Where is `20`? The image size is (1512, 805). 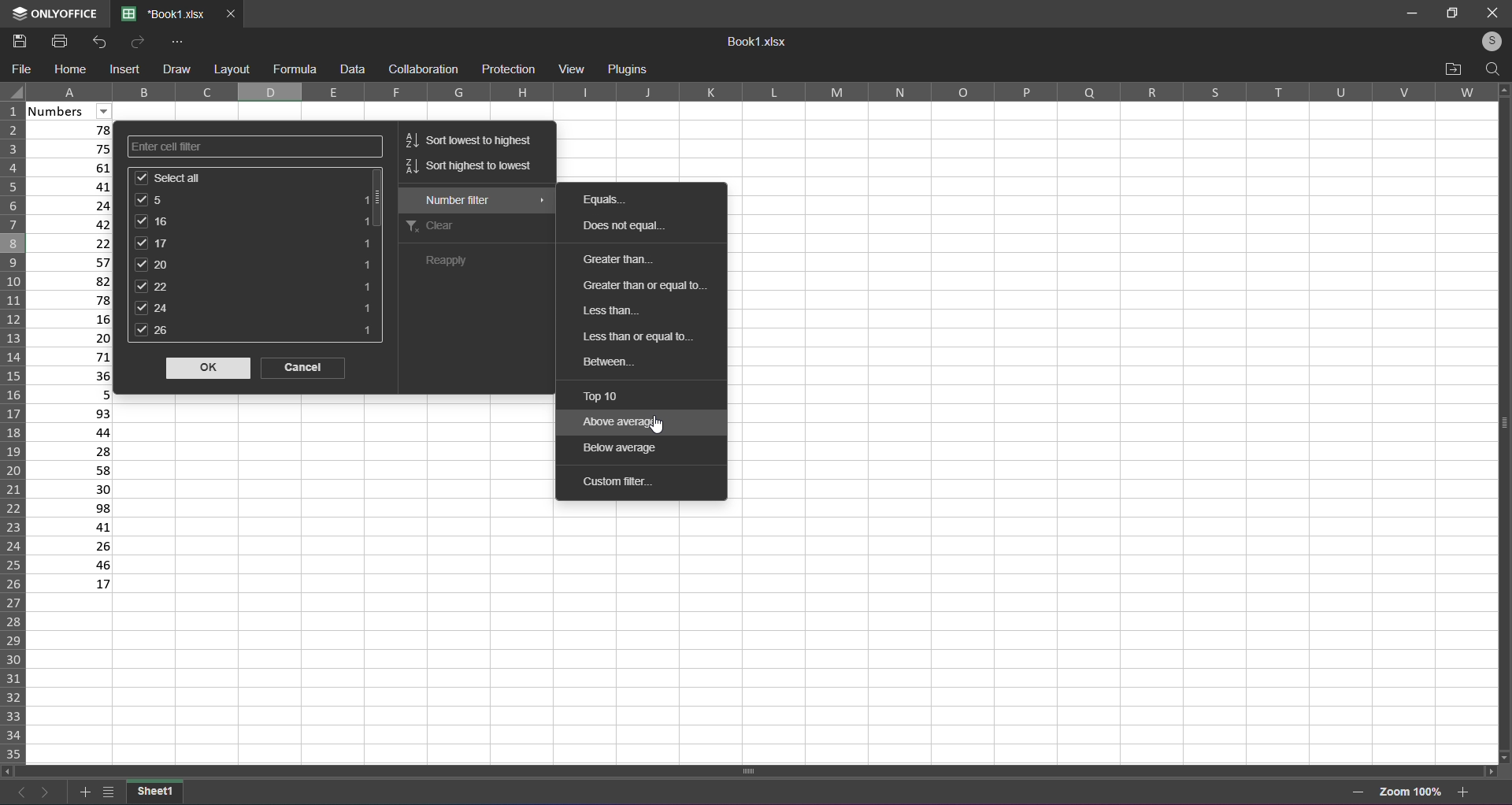 20 is located at coordinates (255, 264).